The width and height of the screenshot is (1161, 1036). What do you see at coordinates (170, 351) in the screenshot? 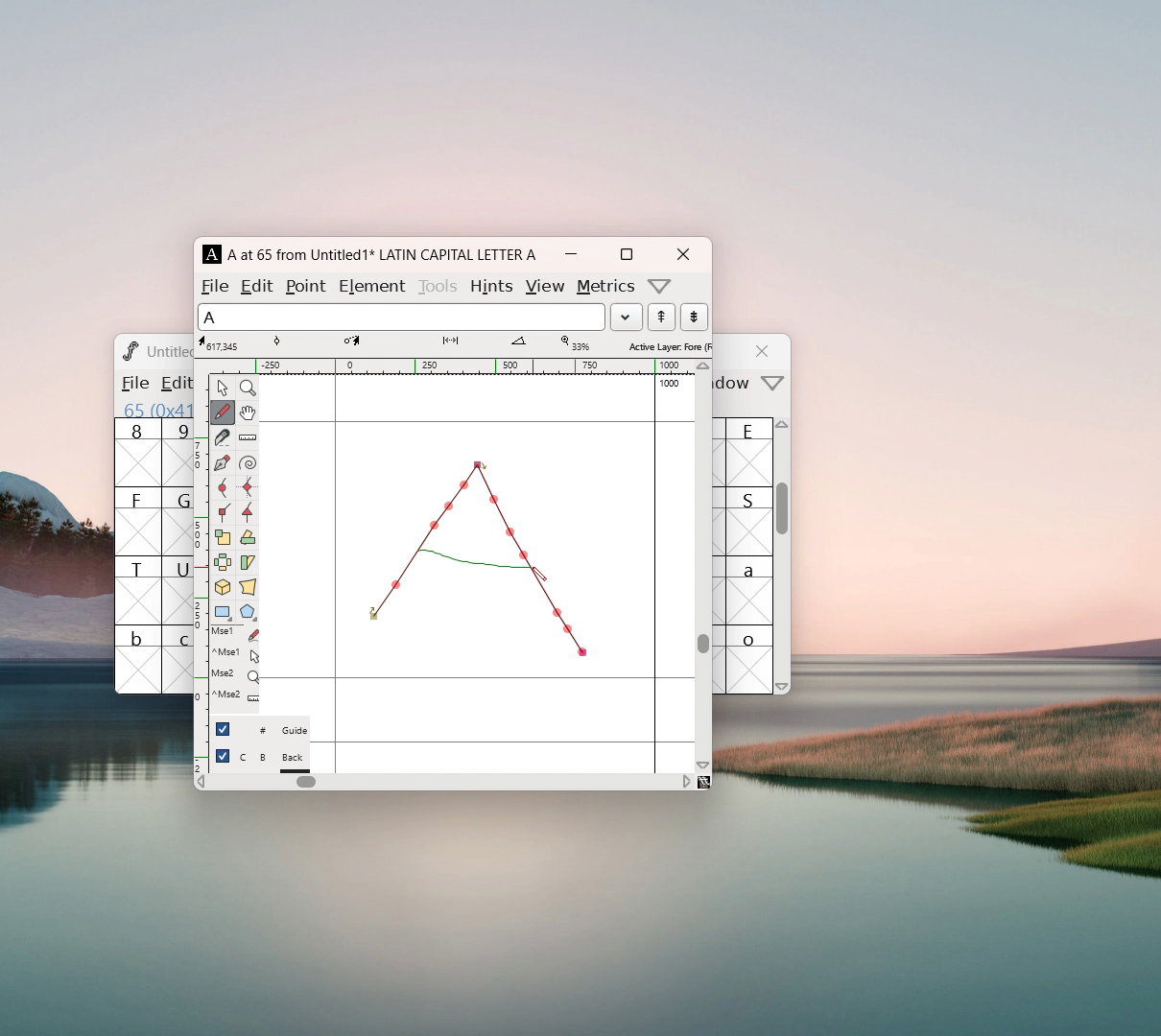
I see `Untitled? Untitled1.sfd (1508859-1)` at bounding box center [170, 351].